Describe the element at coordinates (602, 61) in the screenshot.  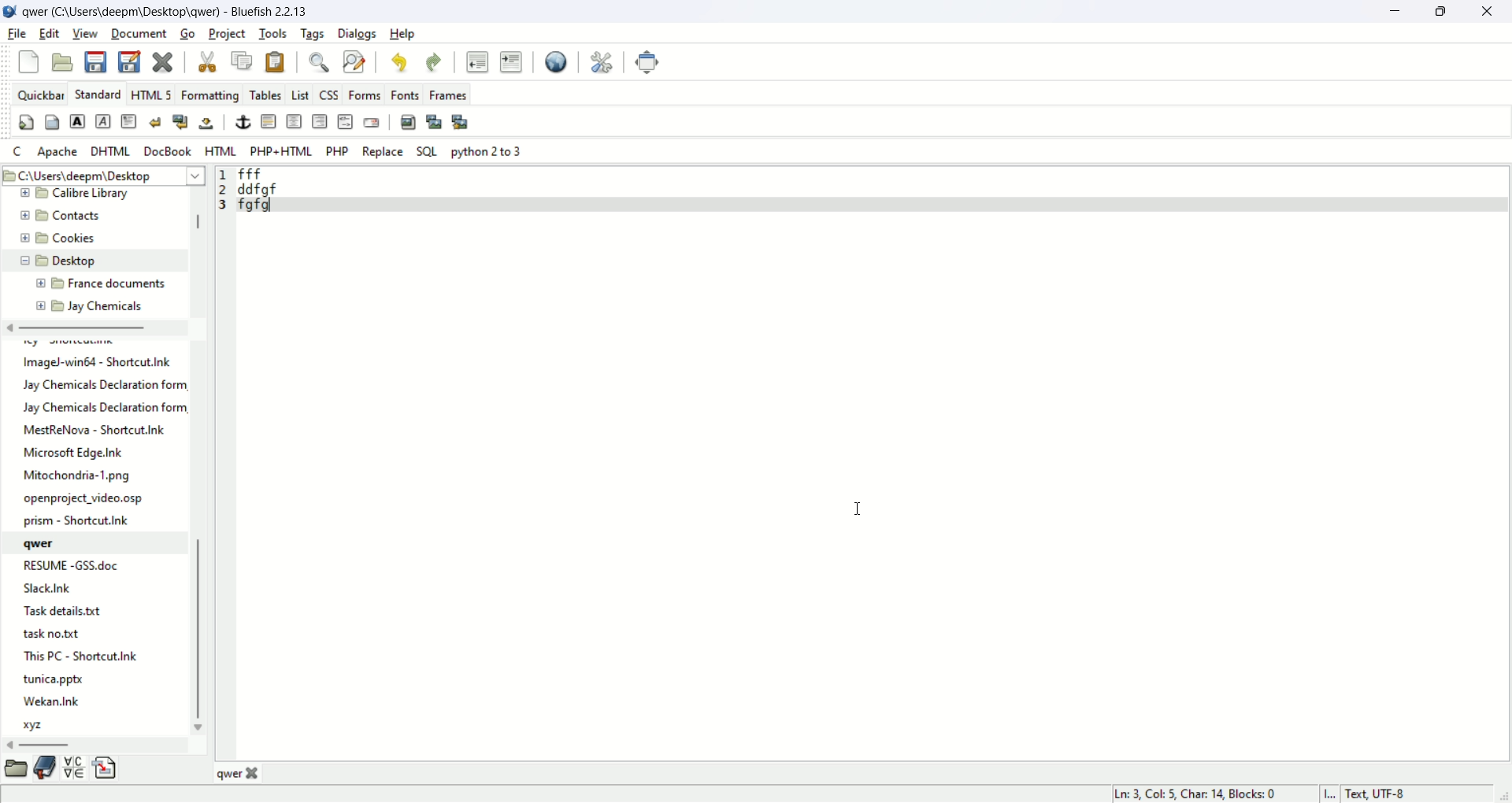
I see `edit preferences` at that location.